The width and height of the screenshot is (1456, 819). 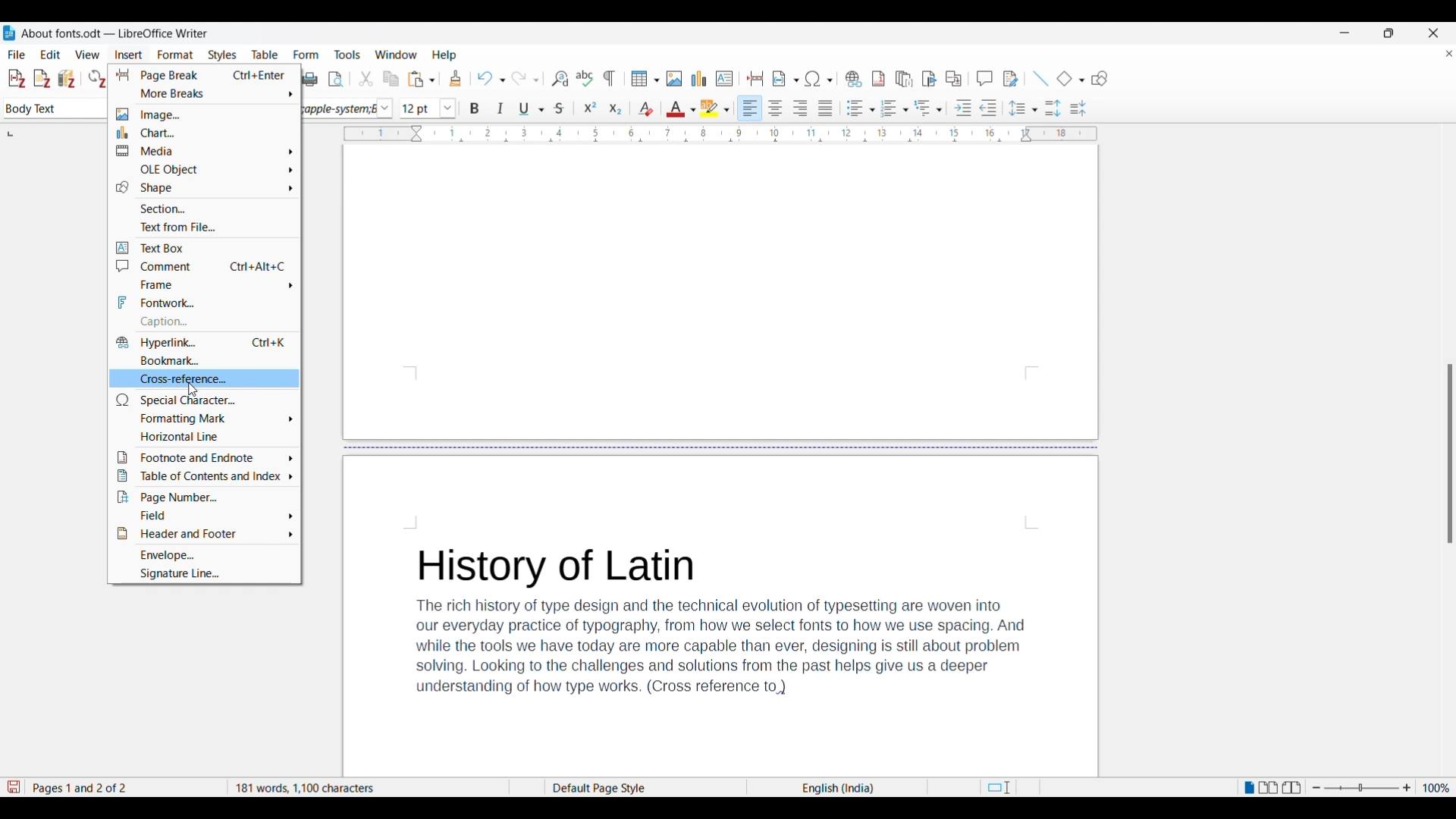 I want to click on Current basic shape and other basic shape options, so click(x=1070, y=78).